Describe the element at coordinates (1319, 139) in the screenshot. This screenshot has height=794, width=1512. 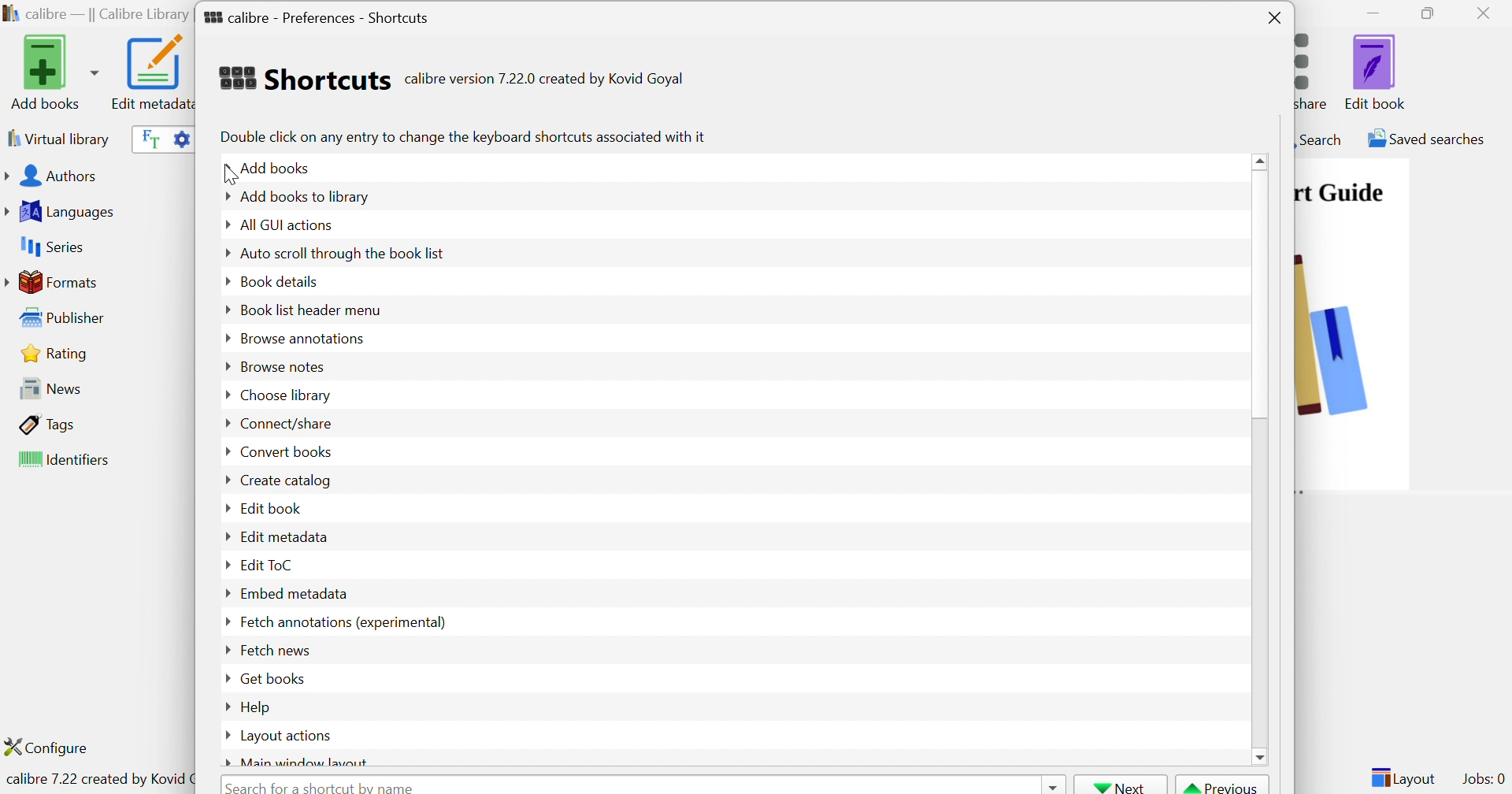
I see `Search` at that location.